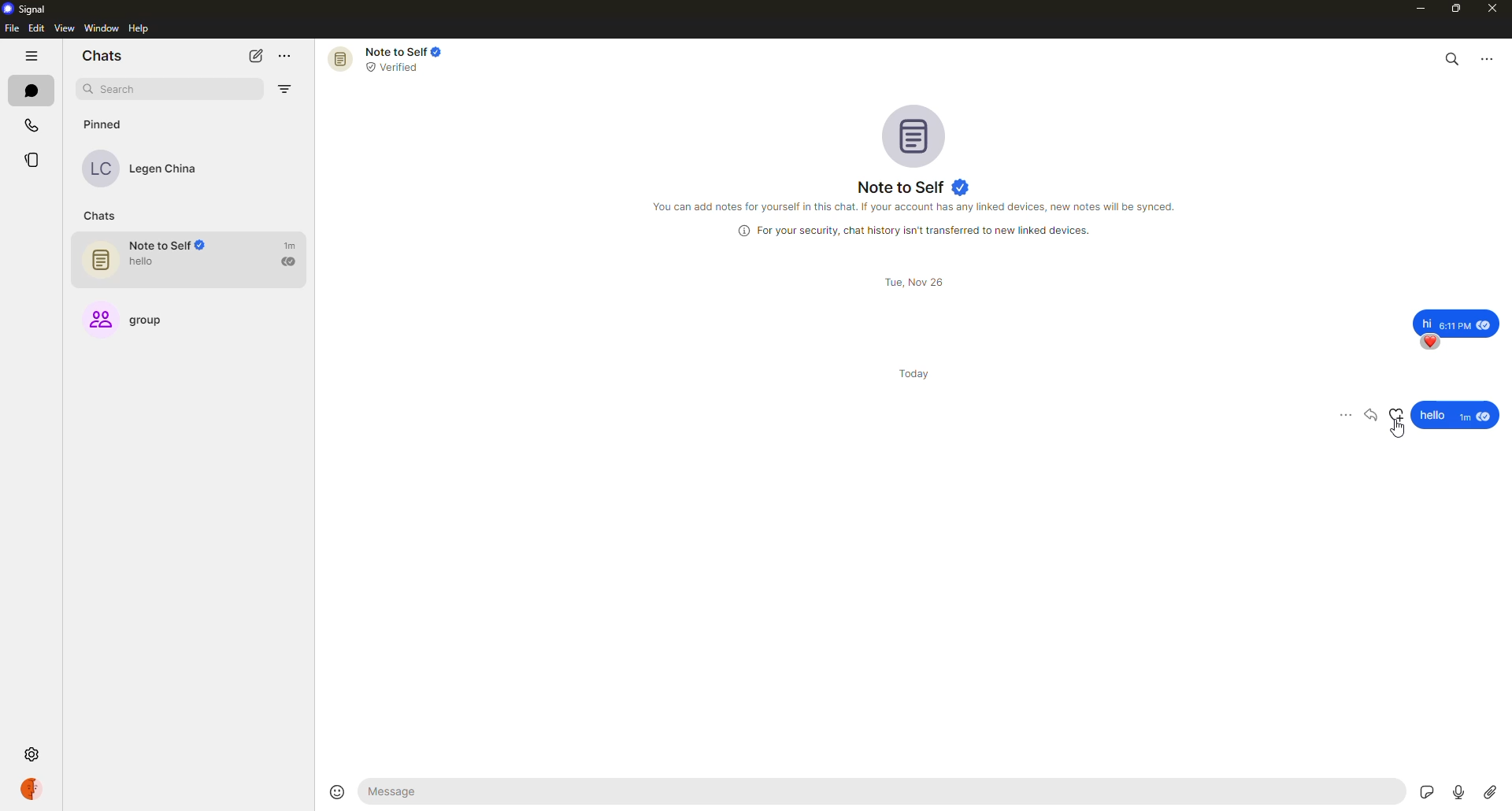 This screenshot has width=1512, height=811. What do you see at coordinates (917, 230) in the screenshot?
I see `info` at bounding box center [917, 230].